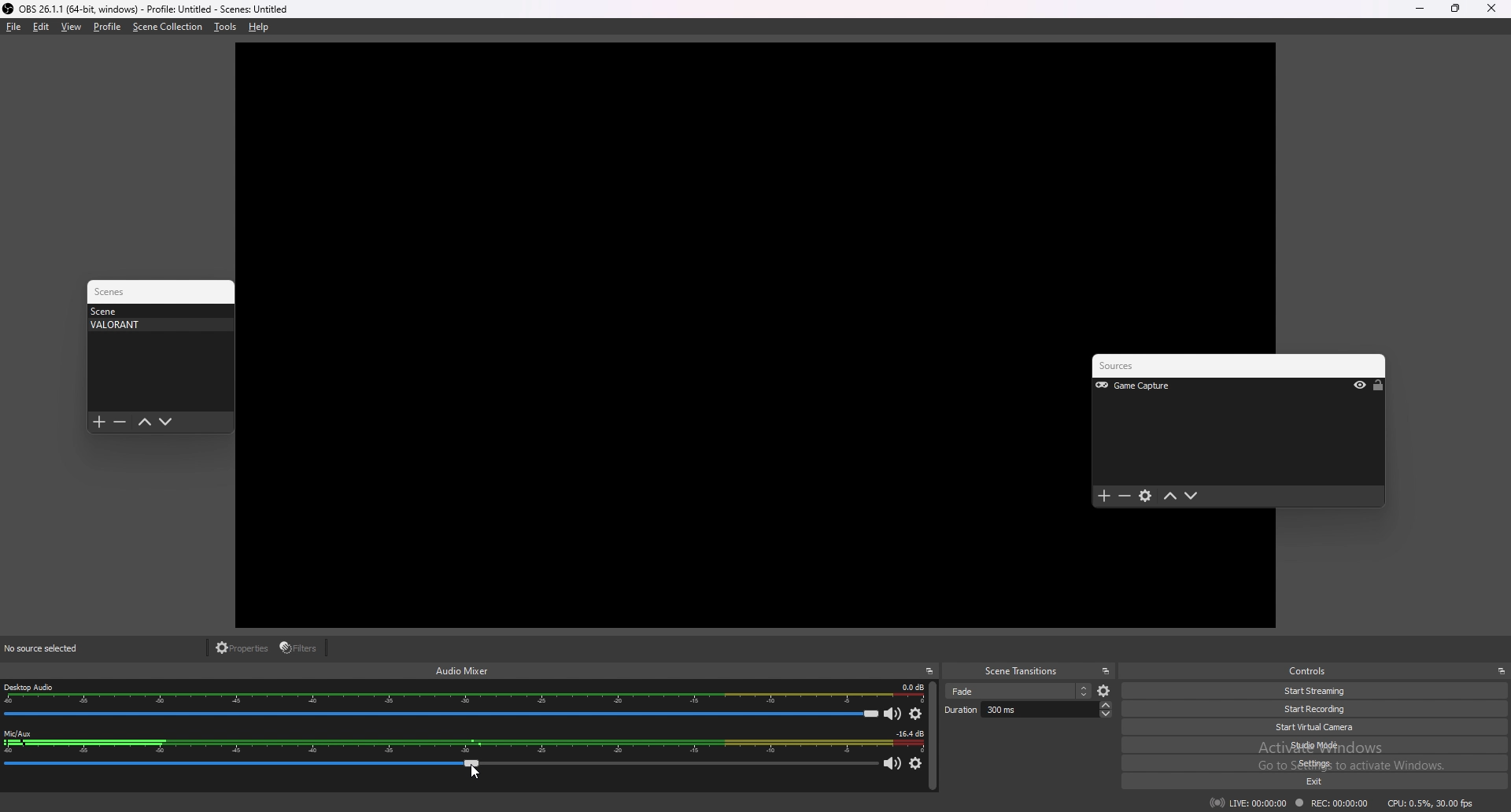 This screenshot has width=1511, height=812. I want to click on desktop audio bar, so click(441, 714).